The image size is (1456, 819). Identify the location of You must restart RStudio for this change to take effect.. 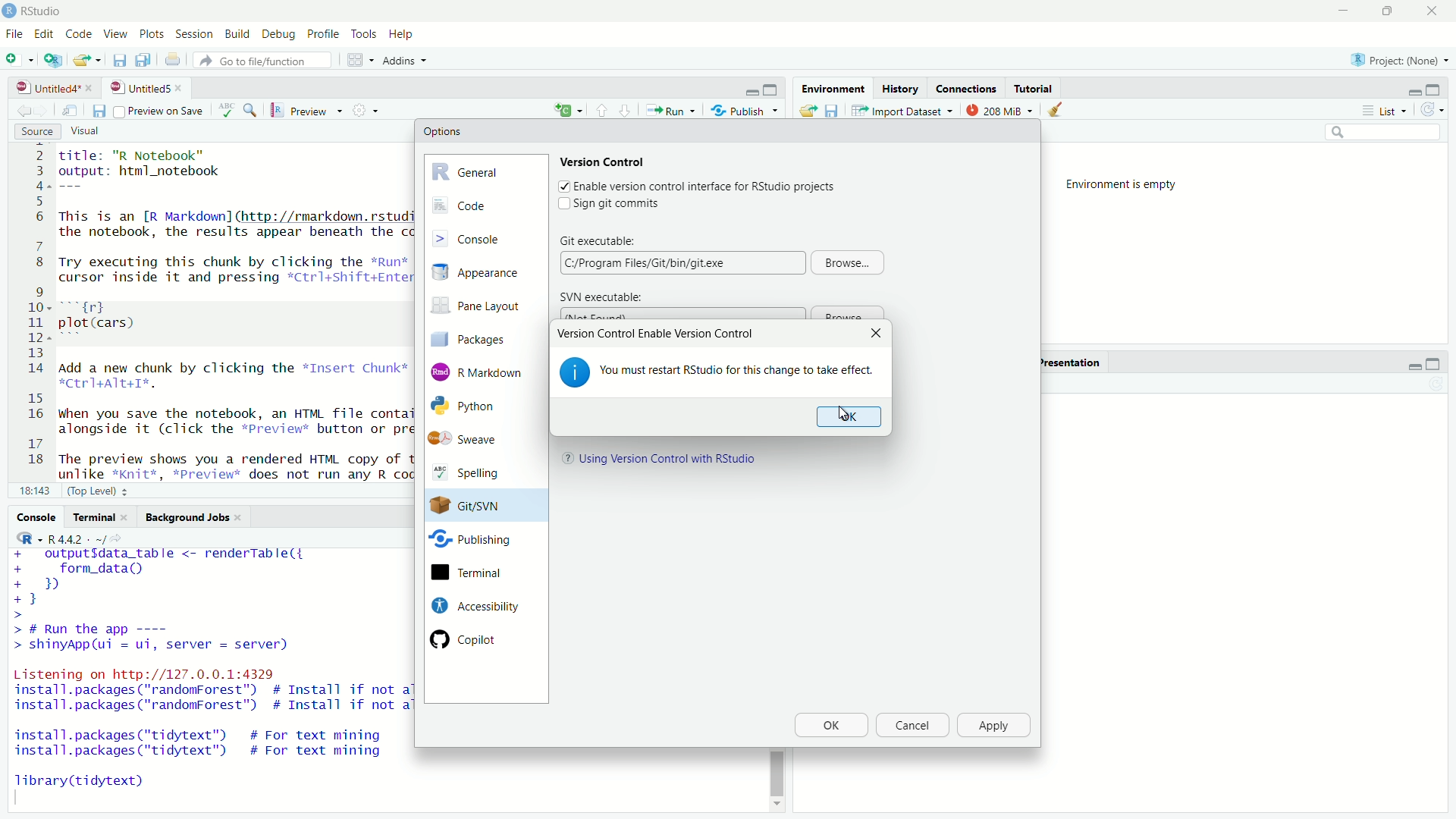
(739, 371).